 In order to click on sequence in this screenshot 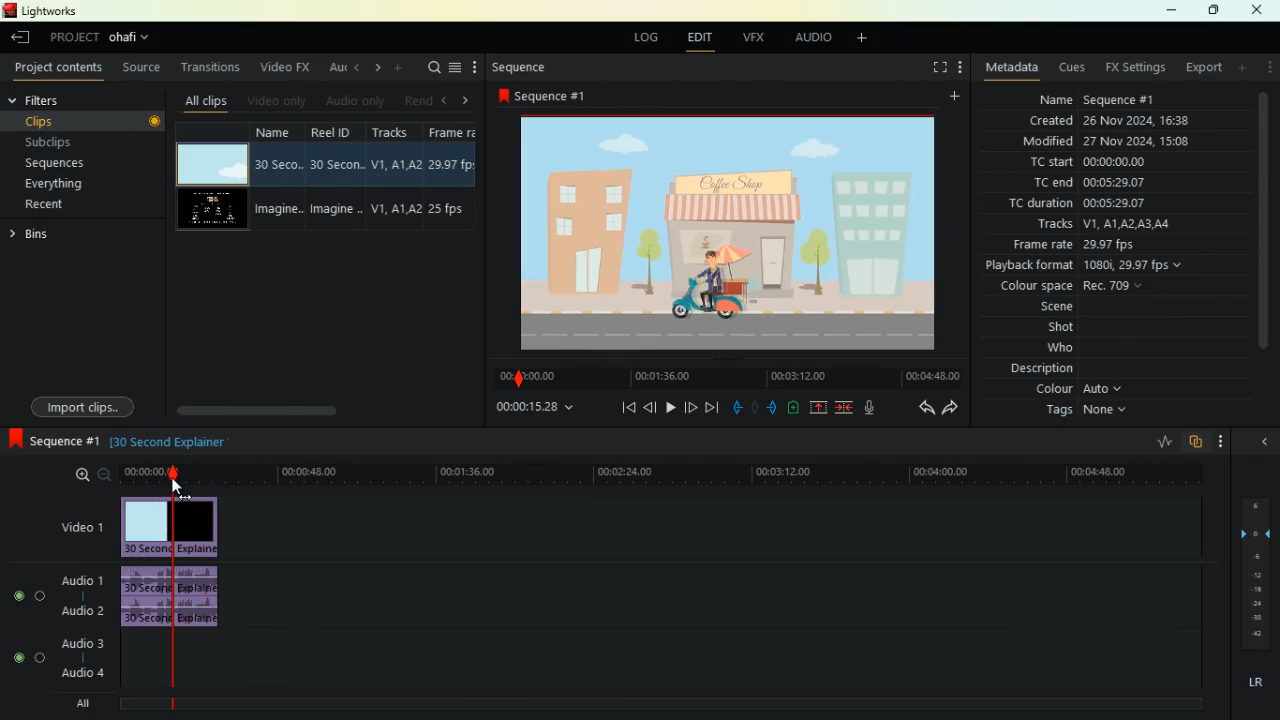, I will do `click(543, 95)`.